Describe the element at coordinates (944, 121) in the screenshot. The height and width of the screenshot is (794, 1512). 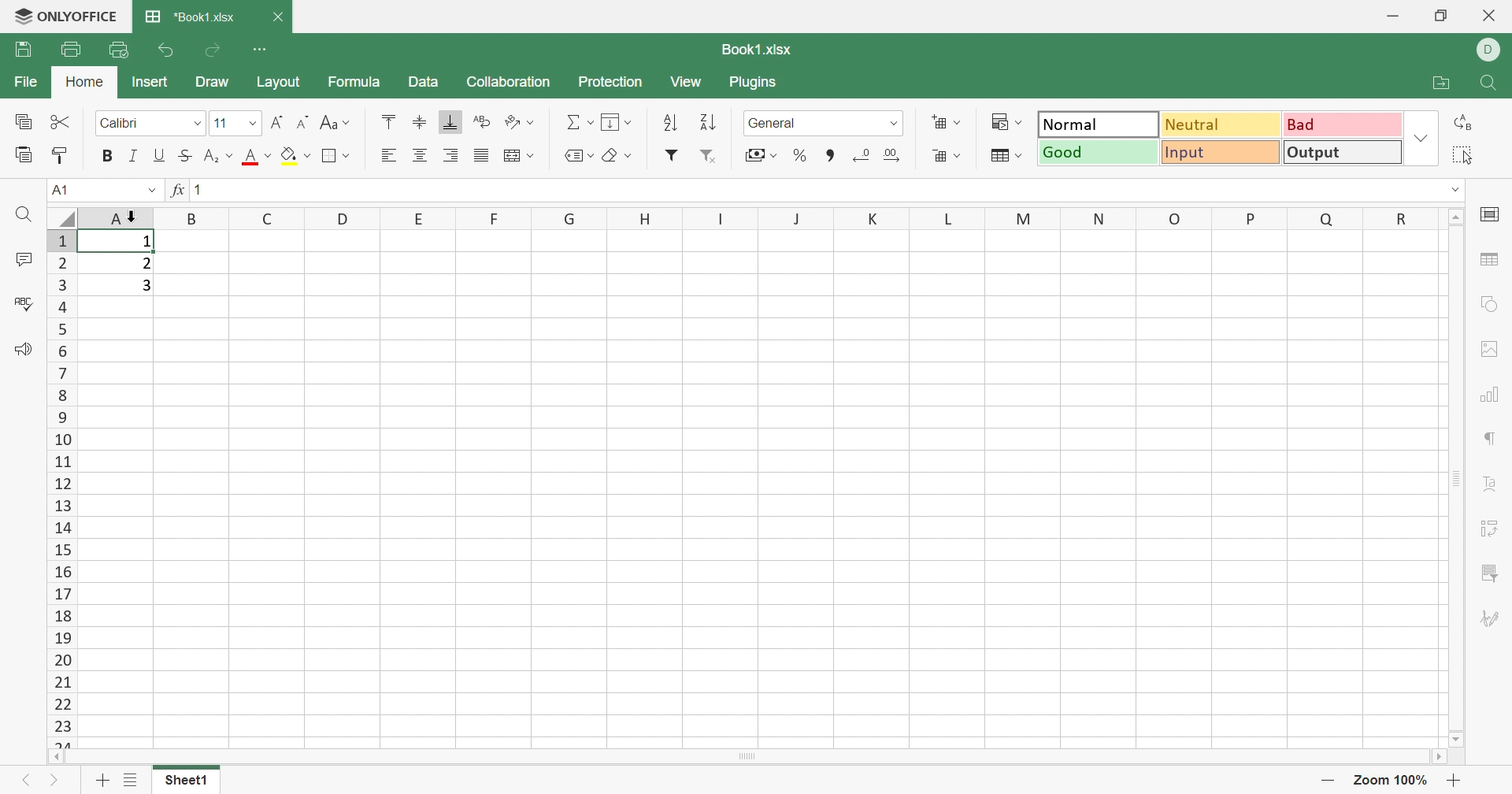
I see `Add cells` at that location.